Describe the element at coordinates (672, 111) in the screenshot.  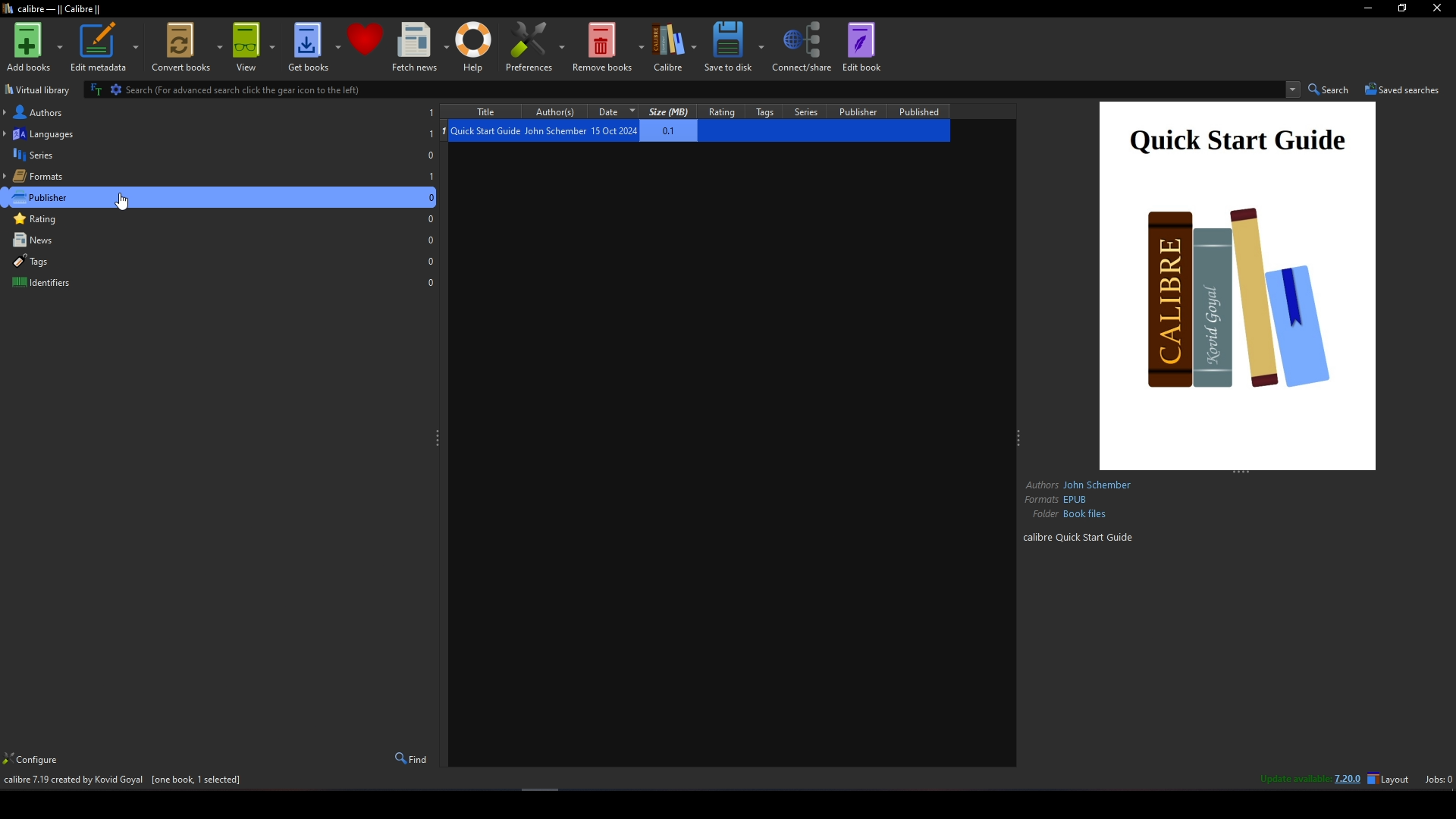
I see `Size` at that location.